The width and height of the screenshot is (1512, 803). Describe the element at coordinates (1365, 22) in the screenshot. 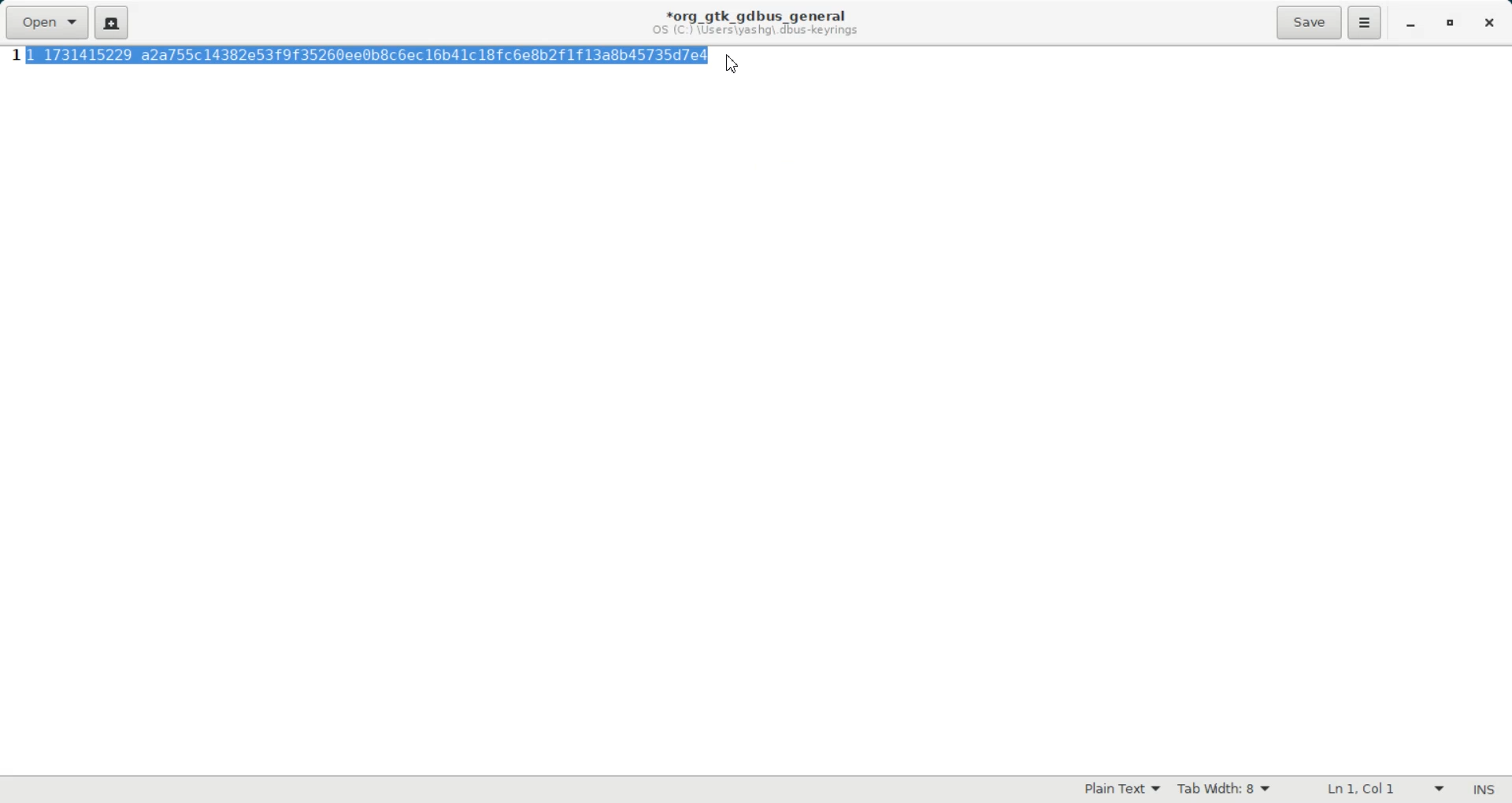

I see `Hamburger Settings` at that location.